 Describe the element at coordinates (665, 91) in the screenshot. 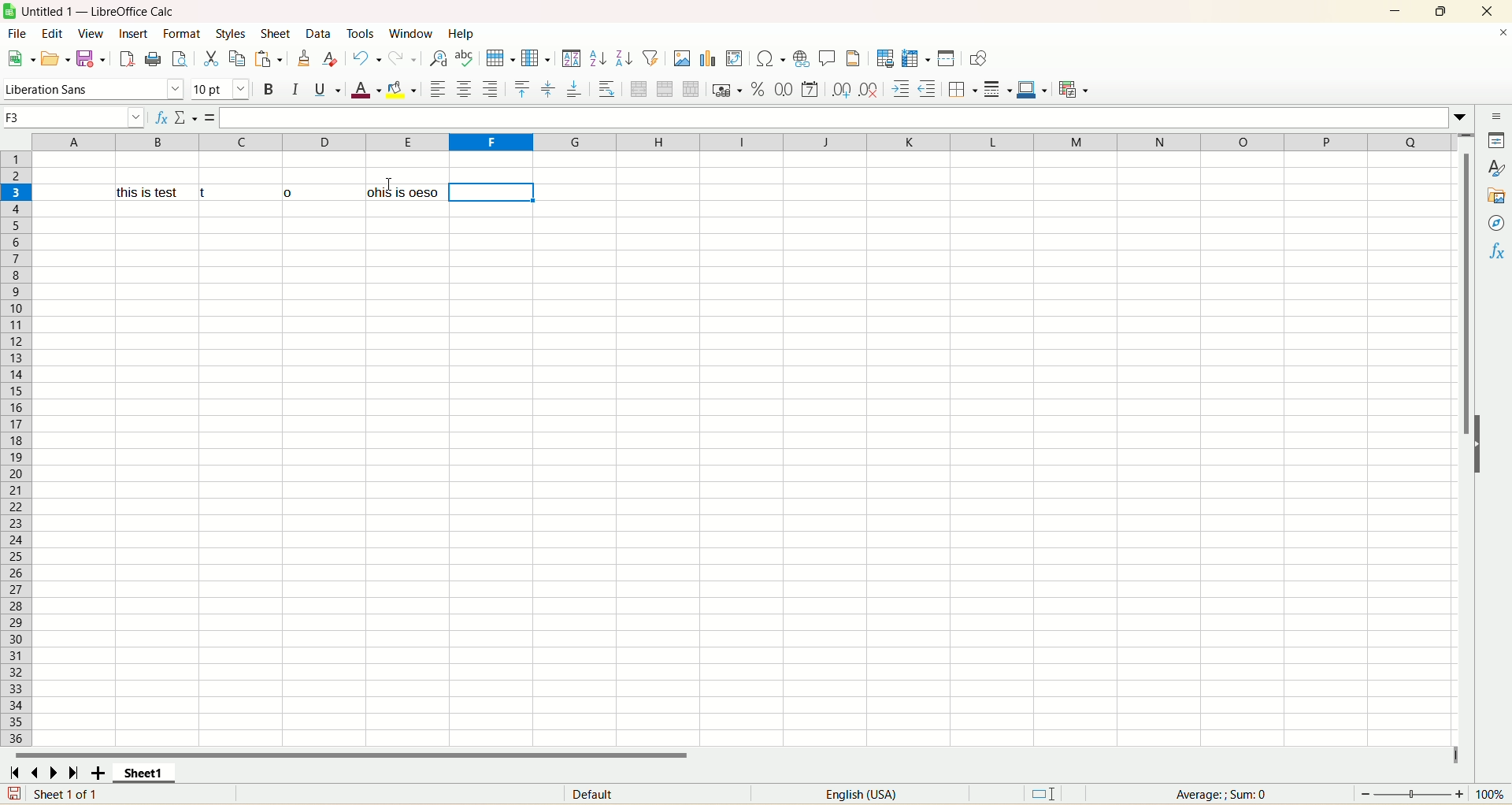

I see `merge cells` at that location.